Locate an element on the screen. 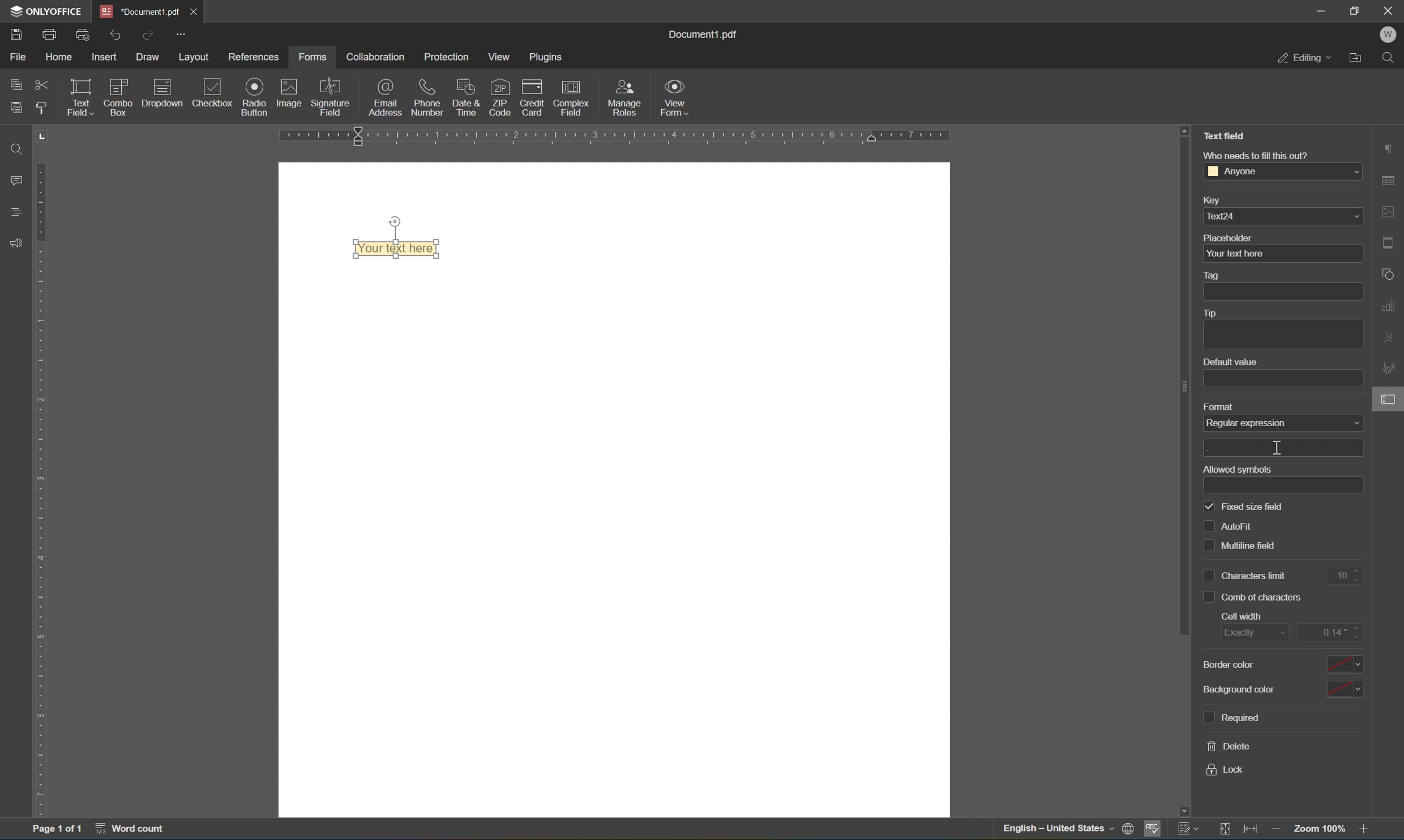  find is located at coordinates (1392, 58).